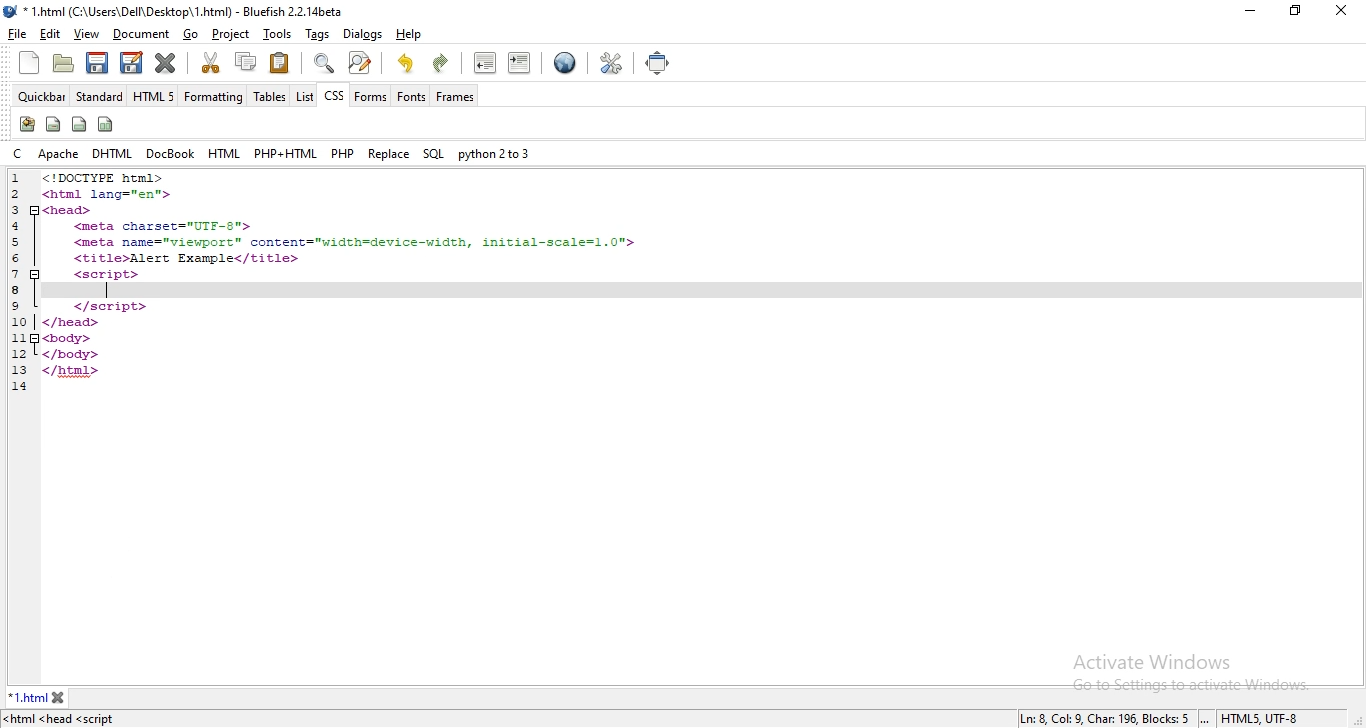 This screenshot has width=1366, height=728. Describe the element at coordinates (19, 389) in the screenshot. I see `14` at that location.